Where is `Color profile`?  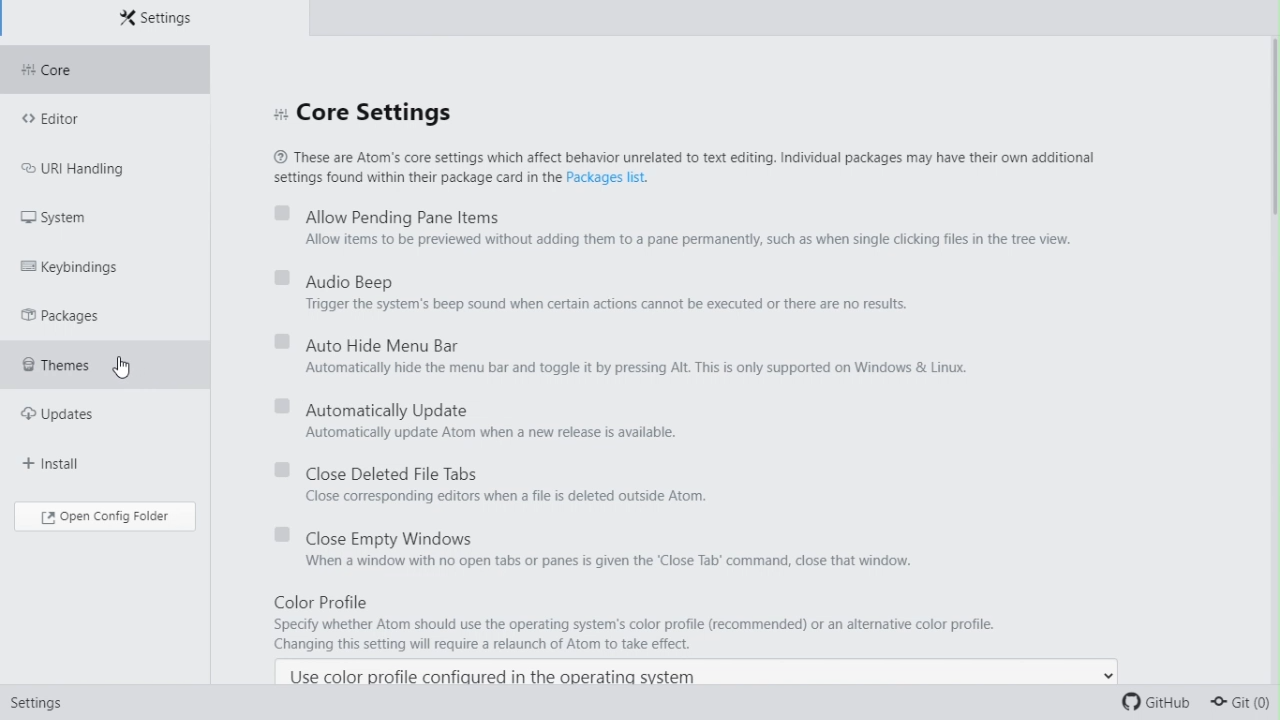
Color profile is located at coordinates (700, 622).